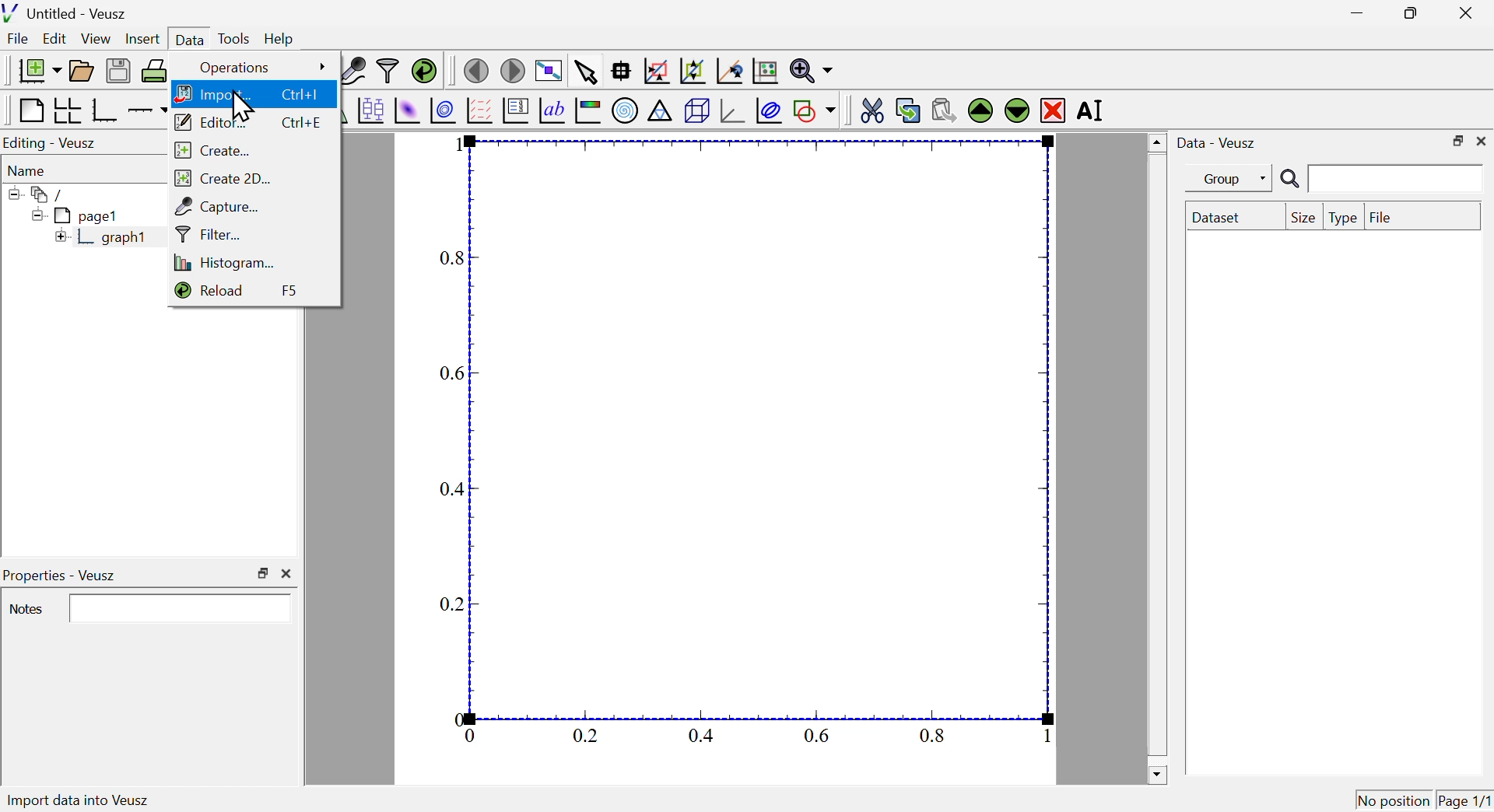 The height and width of the screenshot is (812, 1494). What do you see at coordinates (221, 205) in the screenshot?
I see `Capture...` at bounding box center [221, 205].